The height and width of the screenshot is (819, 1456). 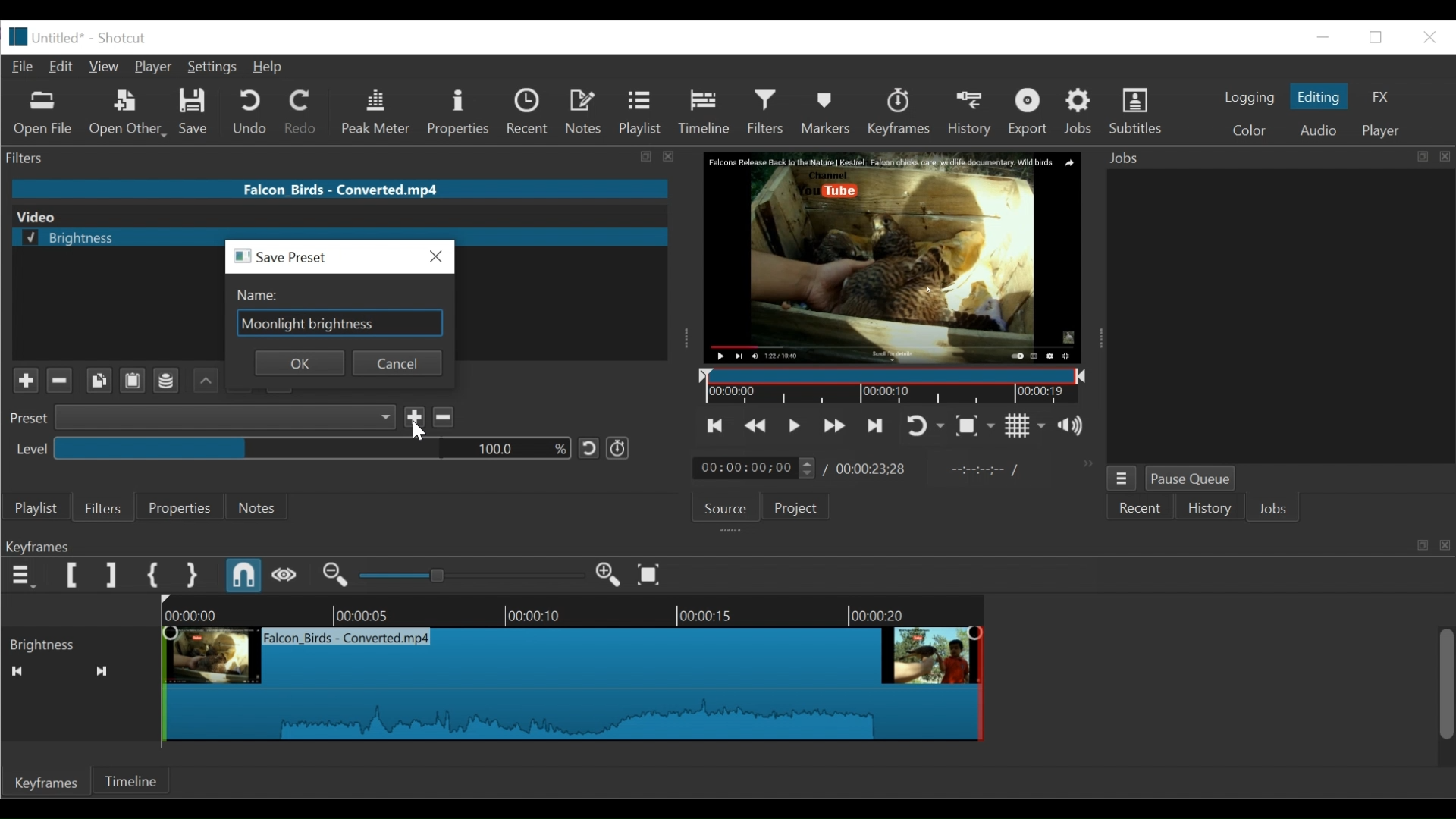 What do you see at coordinates (1250, 129) in the screenshot?
I see `Color` at bounding box center [1250, 129].